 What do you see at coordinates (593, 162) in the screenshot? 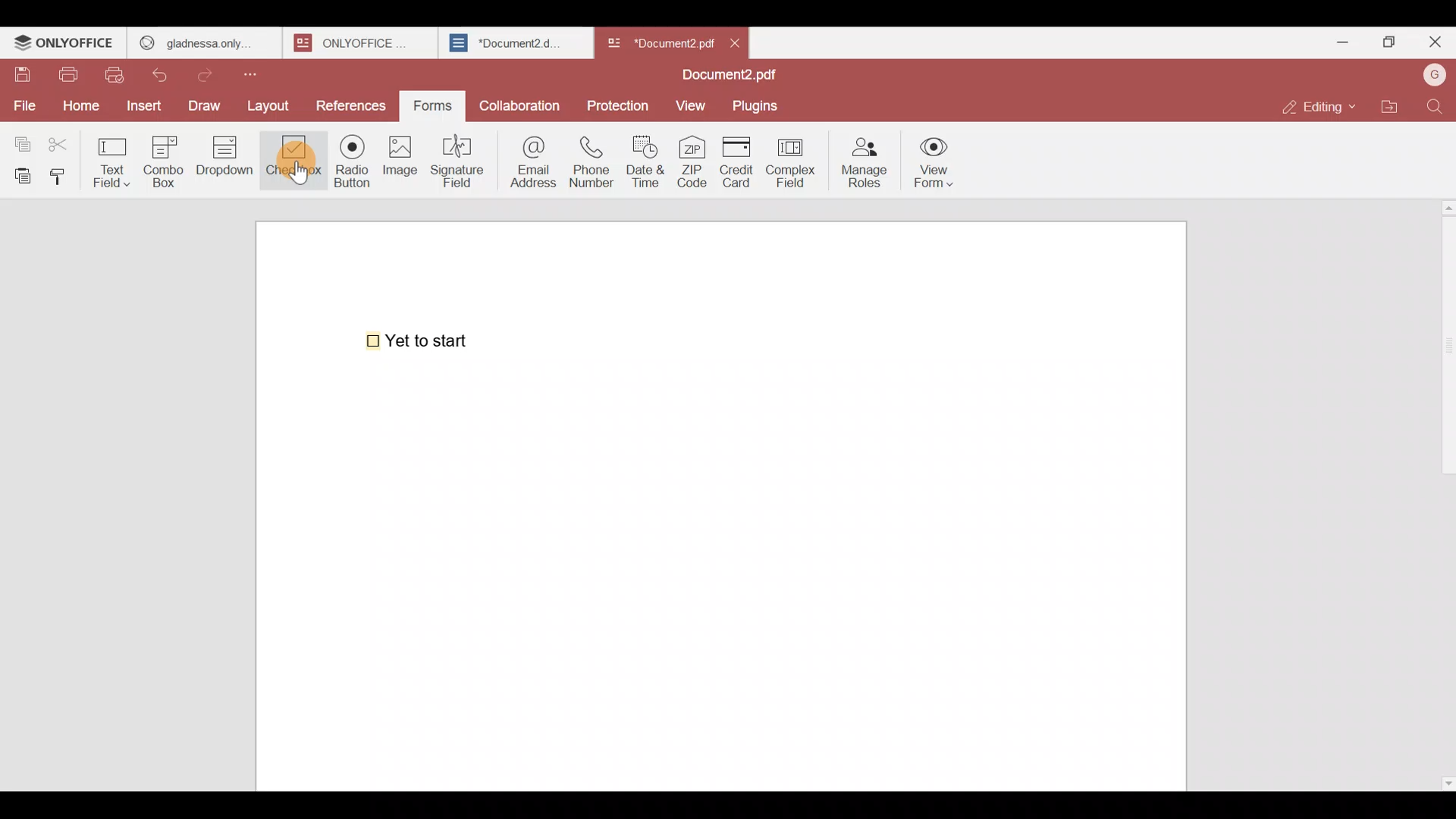
I see `Phone number` at bounding box center [593, 162].